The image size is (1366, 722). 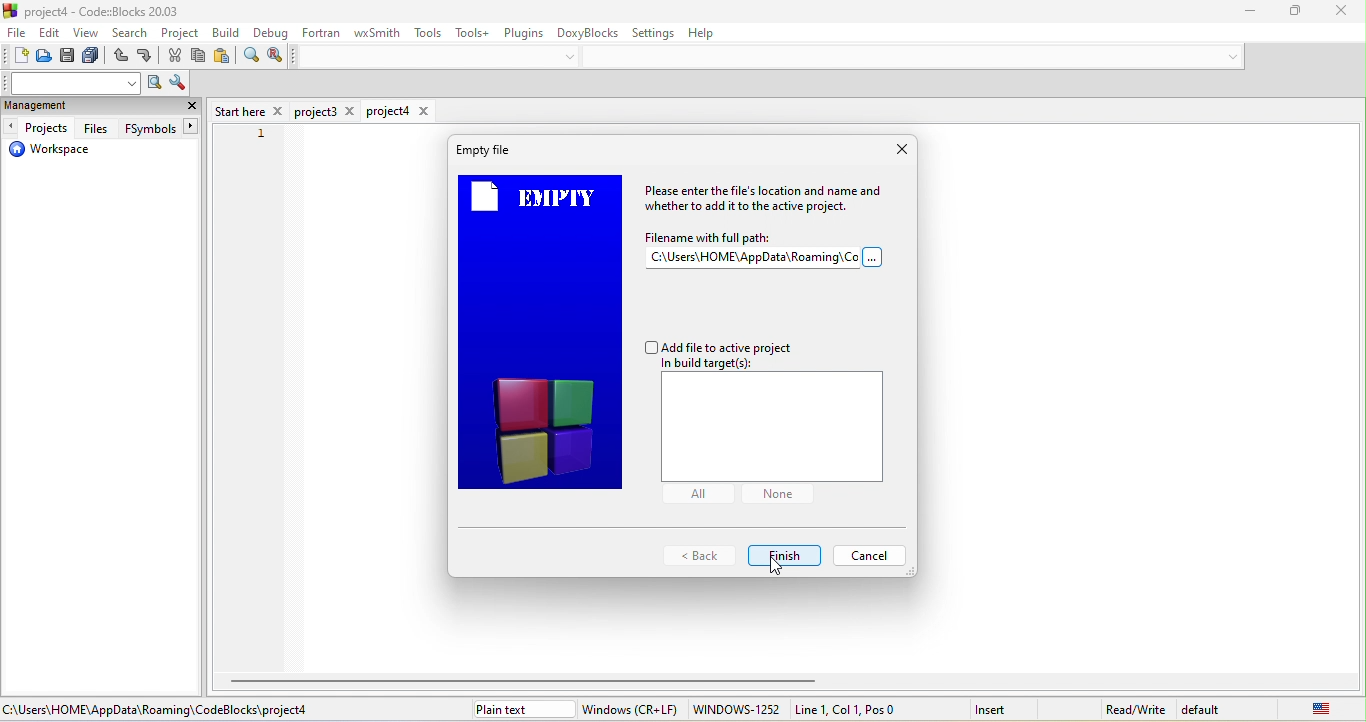 I want to click on open, so click(x=45, y=58).